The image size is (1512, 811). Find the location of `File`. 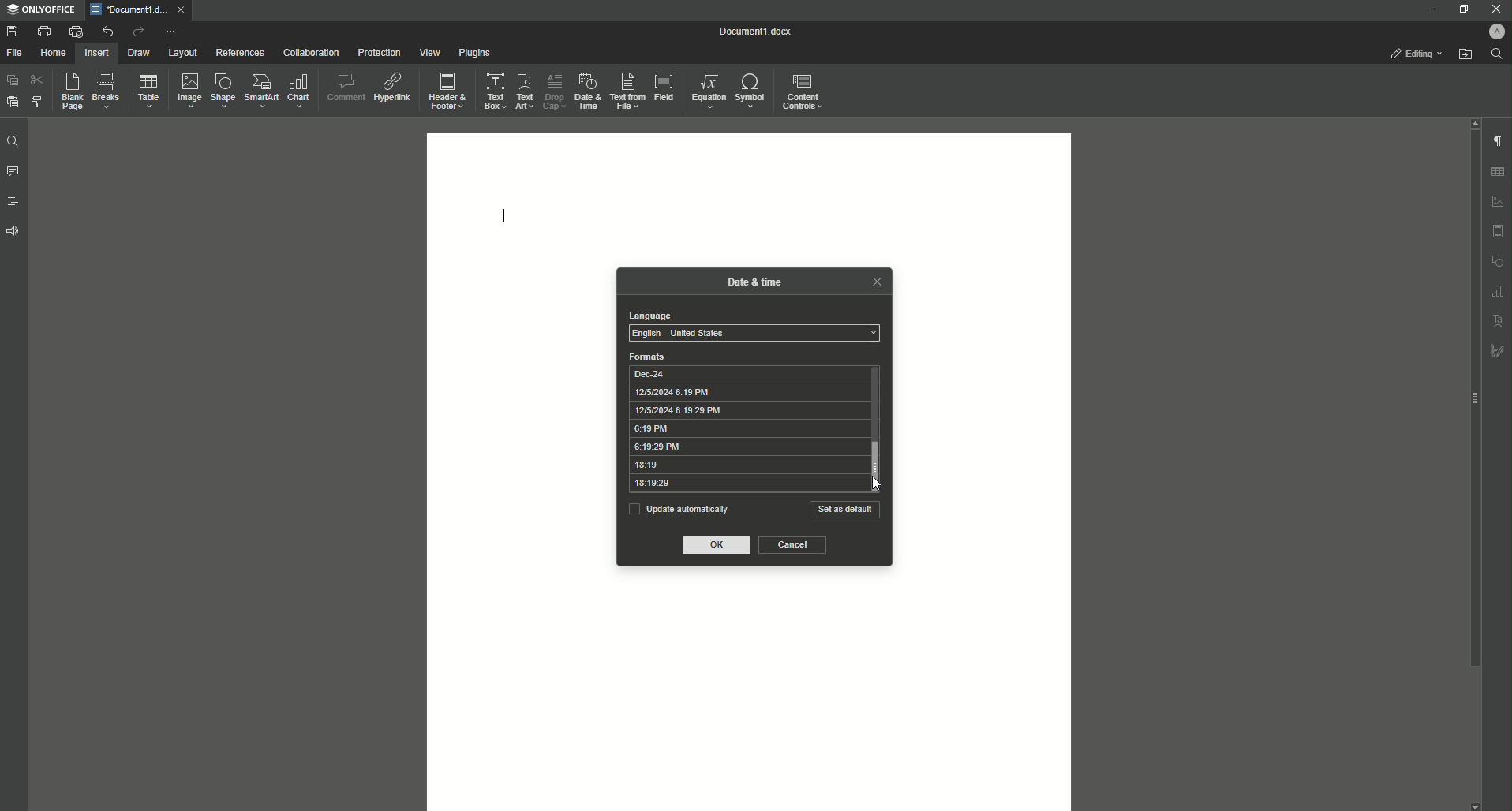

File is located at coordinates (17, 53).